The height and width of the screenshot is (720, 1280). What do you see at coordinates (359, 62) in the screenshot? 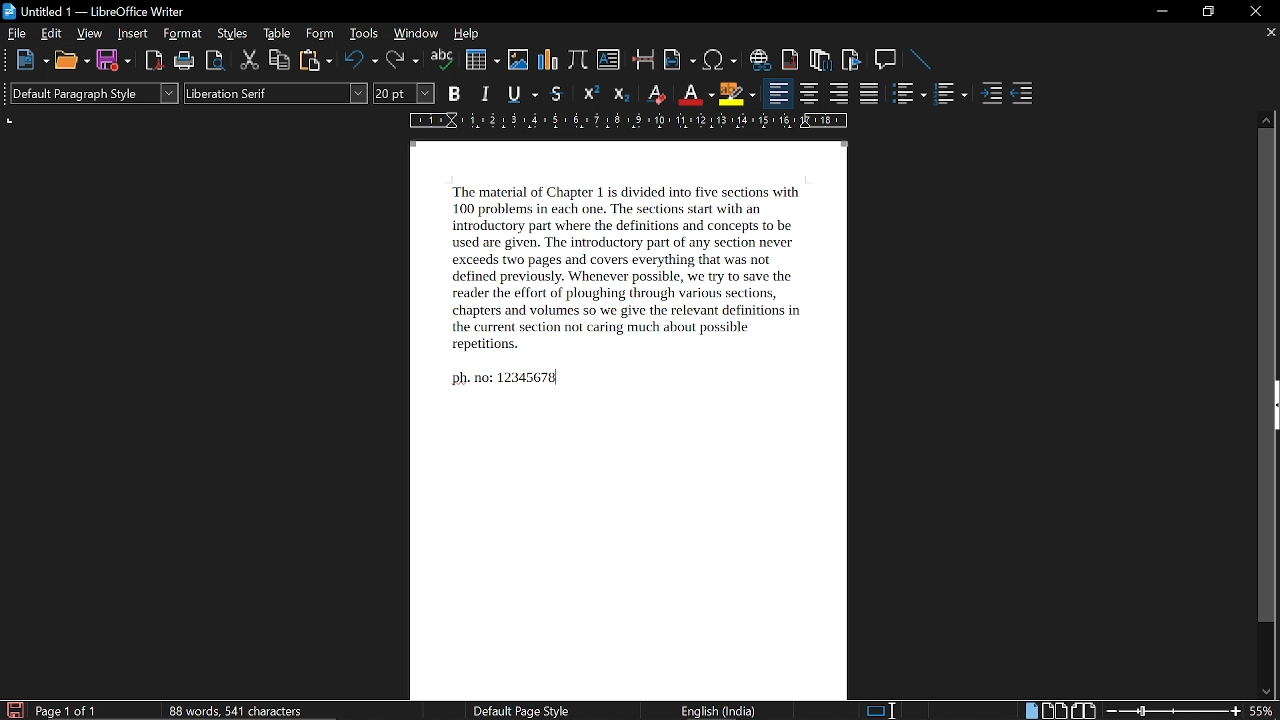
I see `undo` at bounding box center [359, 62].